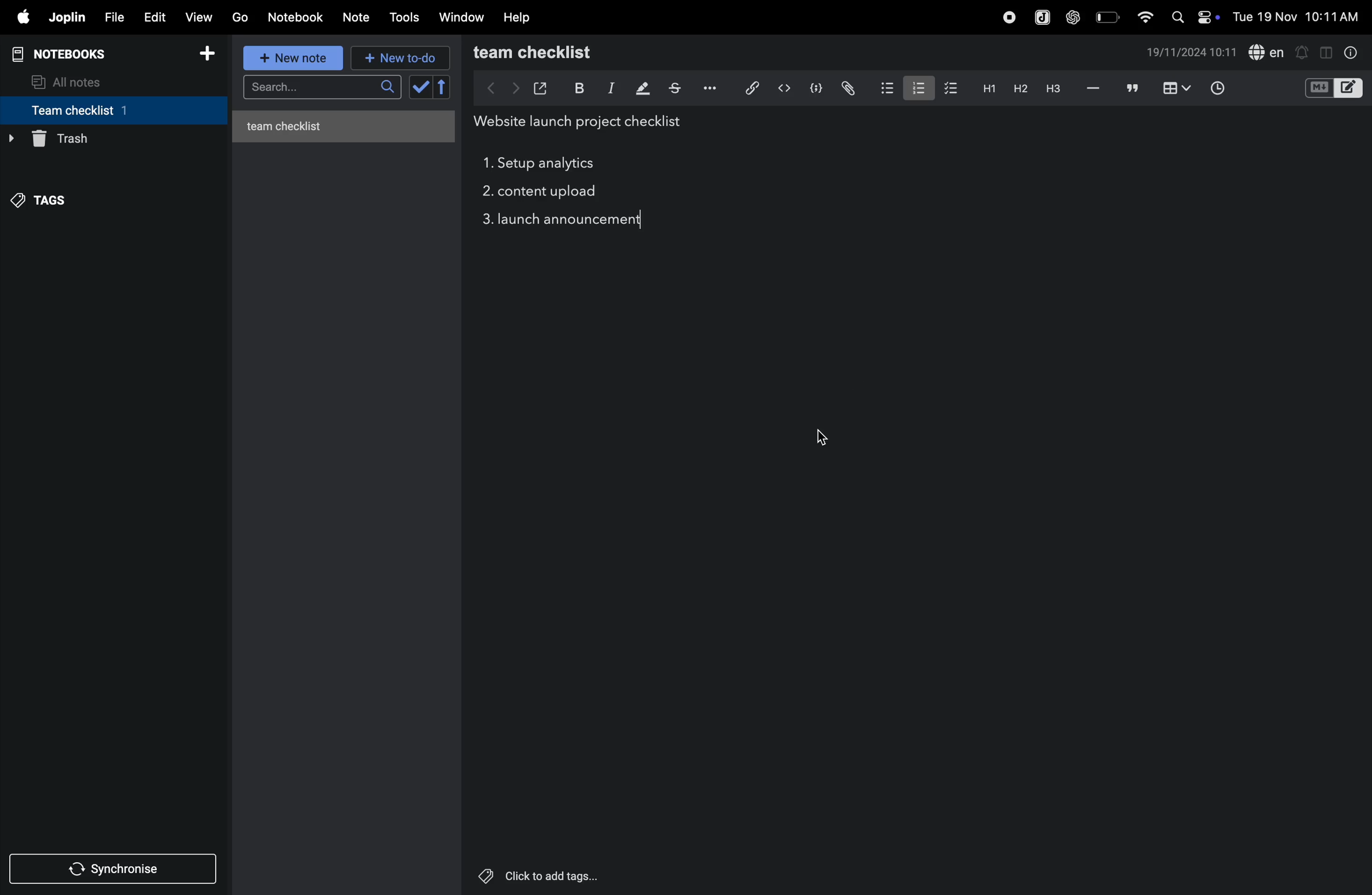 The image size is (1372, 895). What do you see at coordinates (674, 88) in the screenshot?
I see `strike through` at bounding box center [674, 88].